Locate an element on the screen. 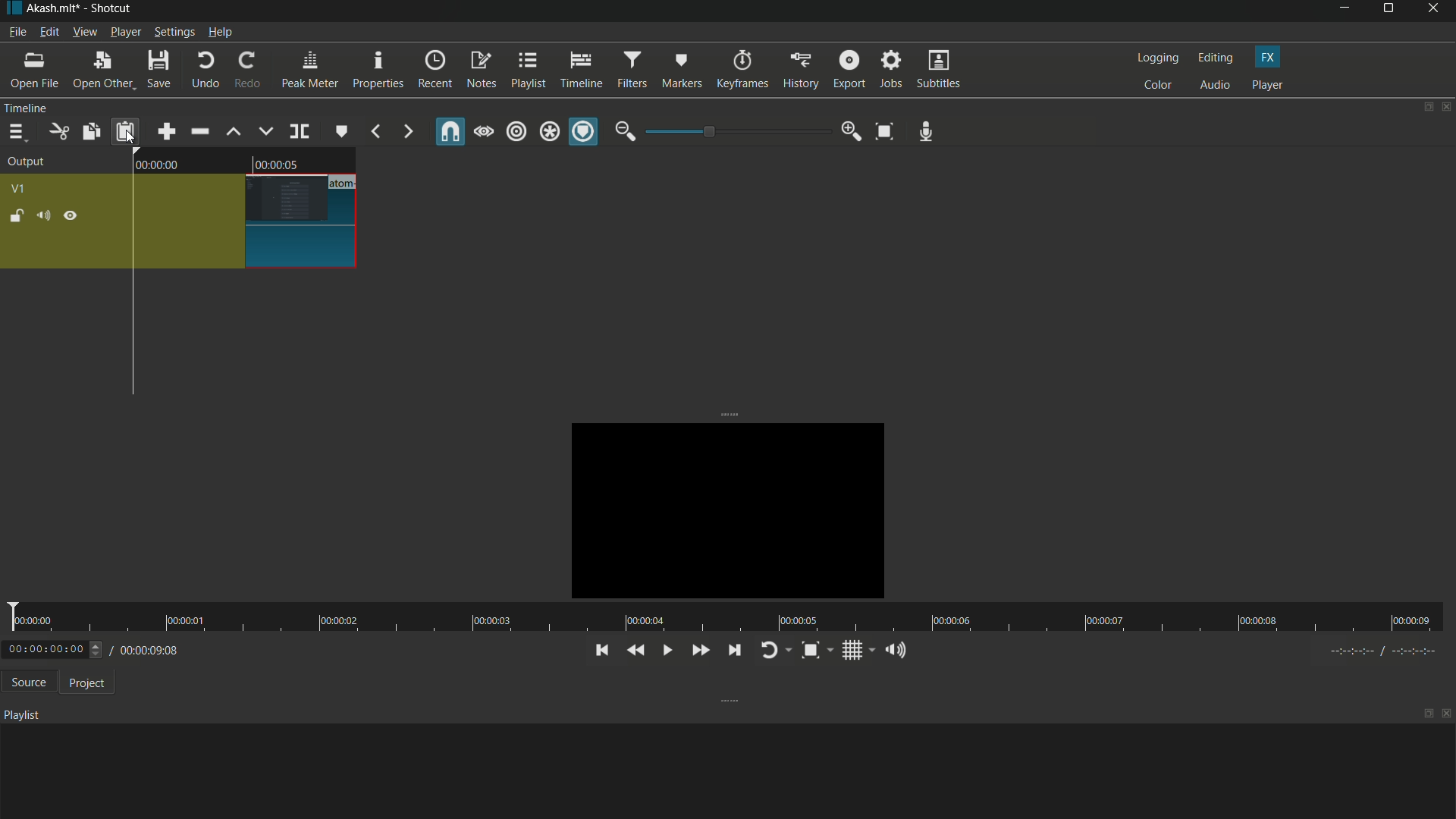 This screenshot has width=1456, height=819. create/edit marker is located at coordinates (340, 130).